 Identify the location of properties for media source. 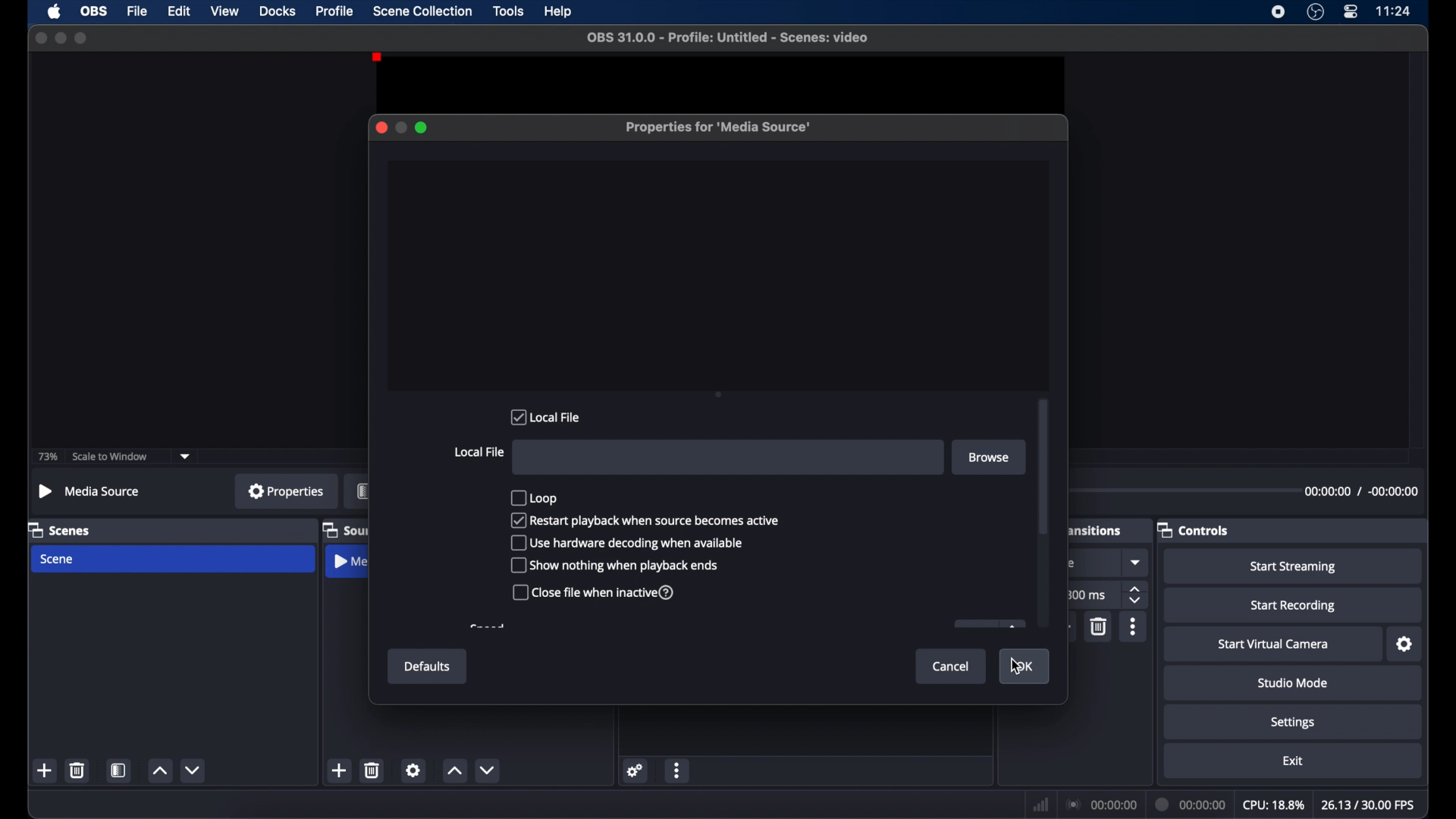
(719, 127).